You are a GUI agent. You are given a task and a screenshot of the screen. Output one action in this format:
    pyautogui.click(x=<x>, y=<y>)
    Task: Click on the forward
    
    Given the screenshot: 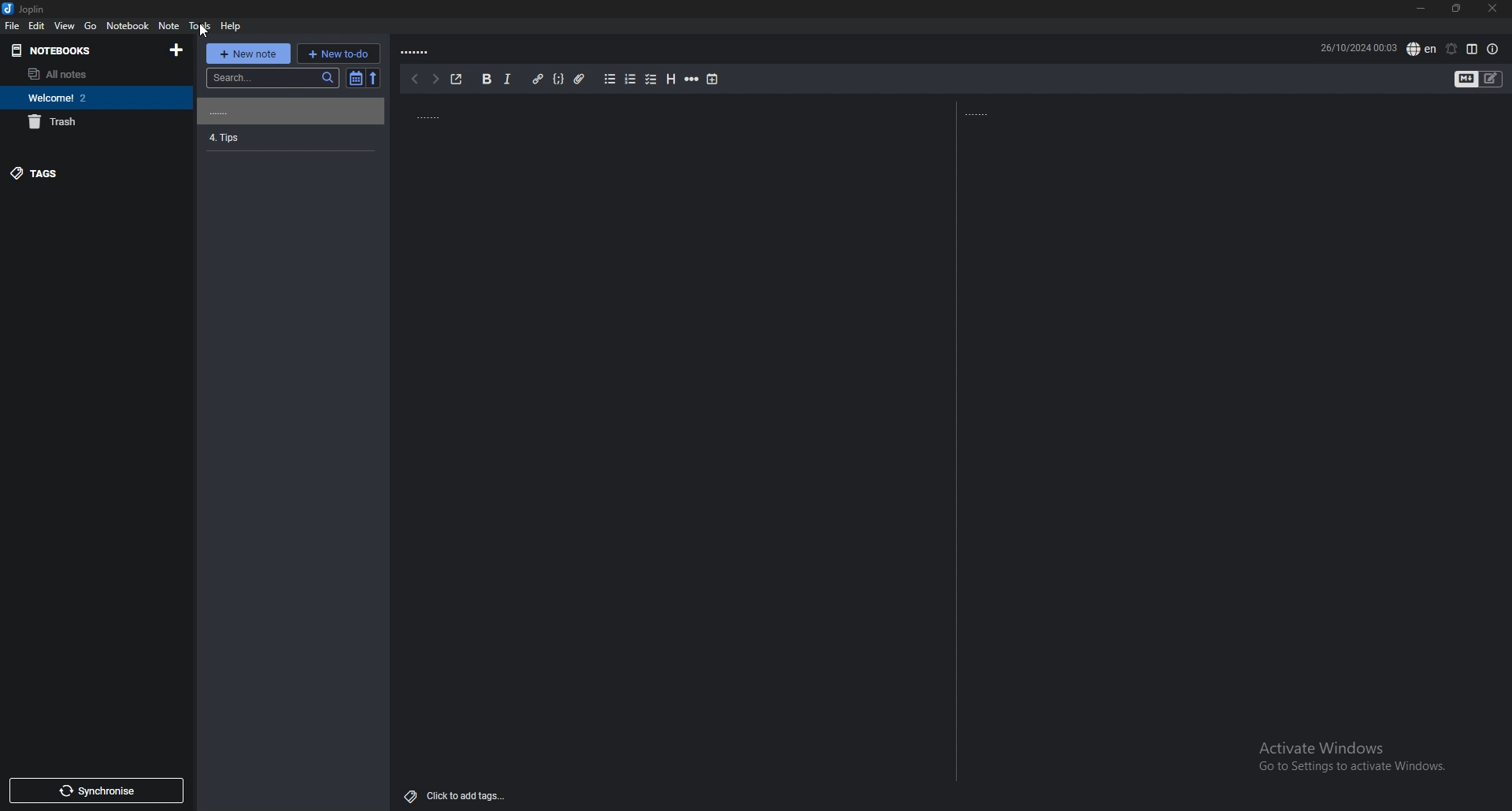 What is the action you would take?
    pyautogui.click(x=434, y=80)
    